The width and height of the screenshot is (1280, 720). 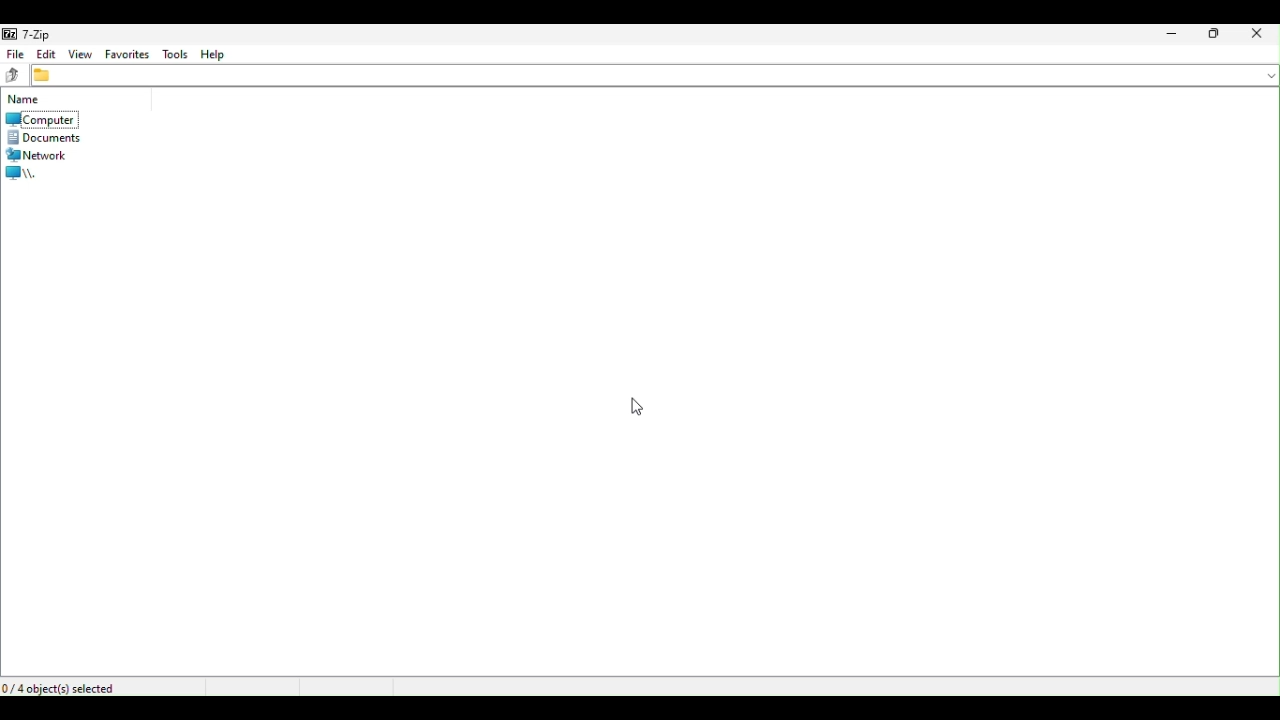 What do you see at coordinates (36, 173) in the screenshot?
I see `root` at bounding box center [36, 173].